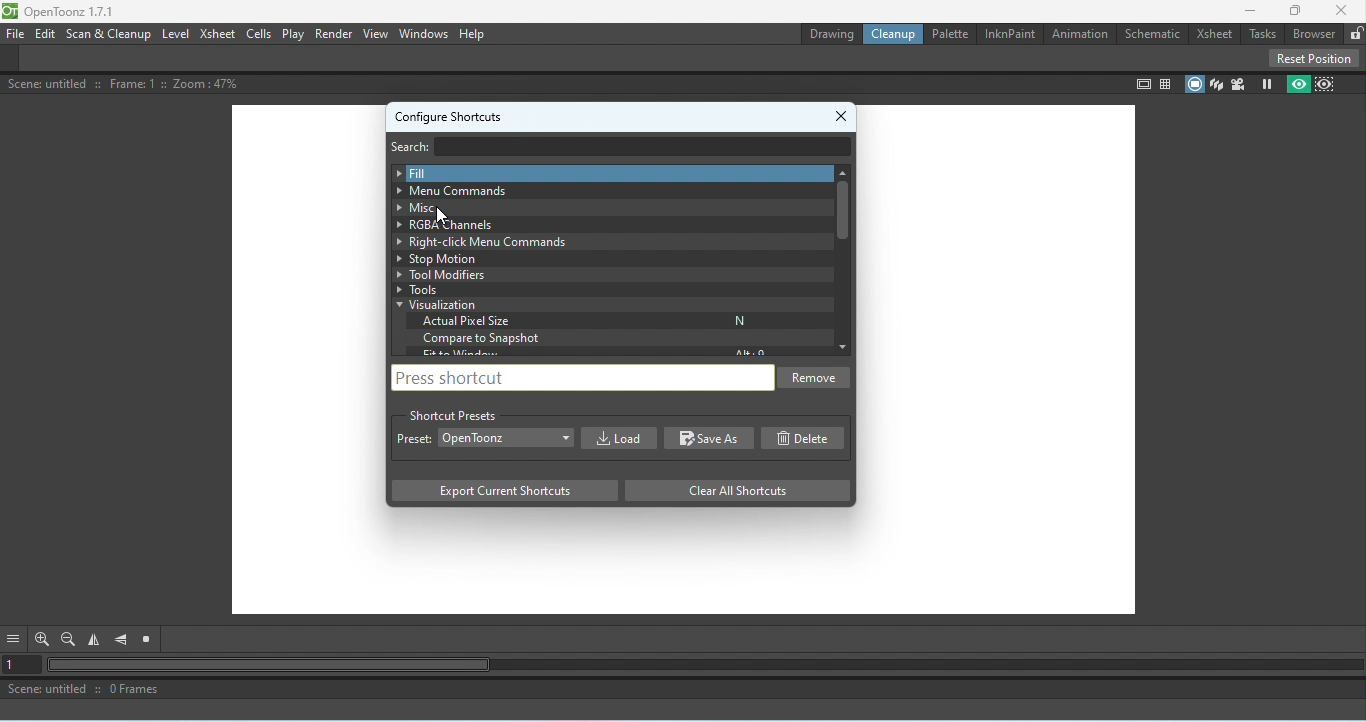 The image size is (1366, 722). Describe the element at coordinates (453, 413) in the screenshot. I see `Shortcut presets` at that location.